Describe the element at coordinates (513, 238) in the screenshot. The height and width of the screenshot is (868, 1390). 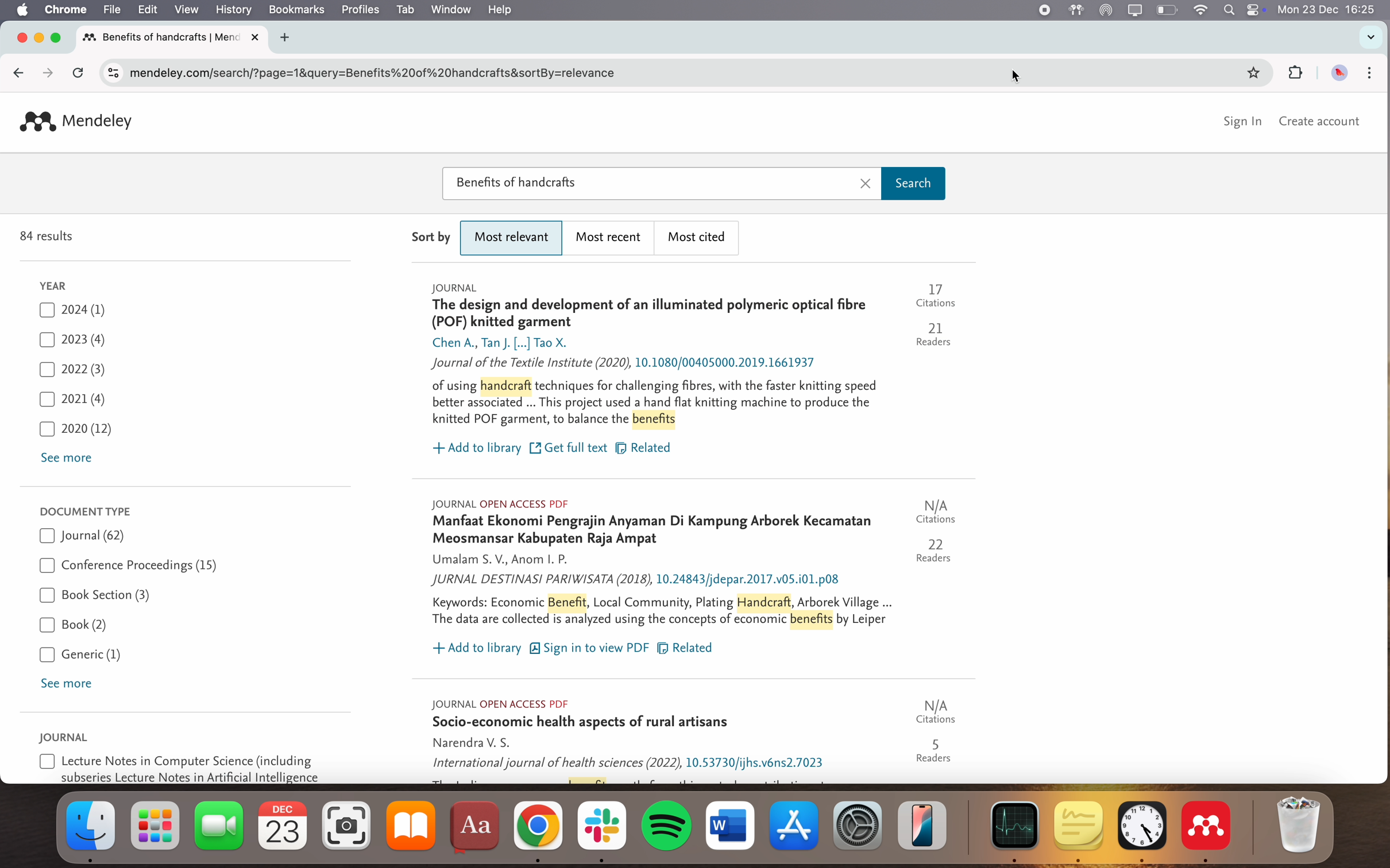
I see `most relevant` at that location.